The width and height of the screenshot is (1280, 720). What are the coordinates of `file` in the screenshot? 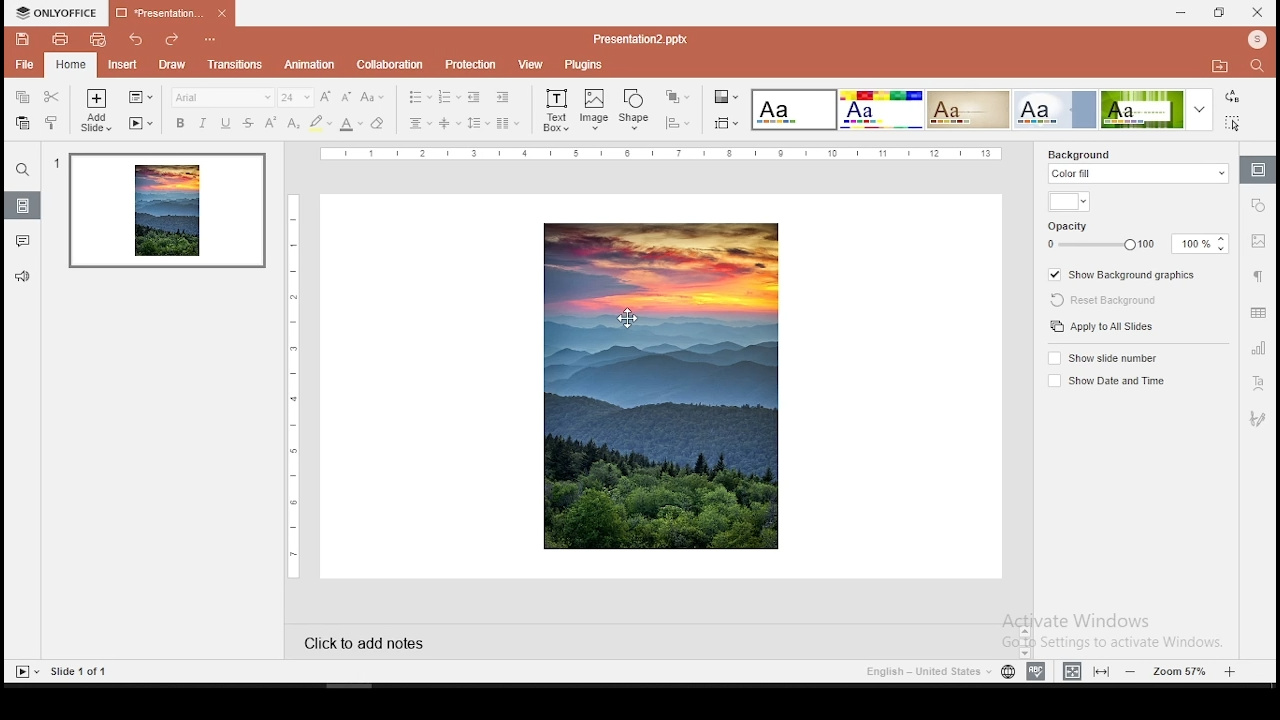 It's located at (23, 63).